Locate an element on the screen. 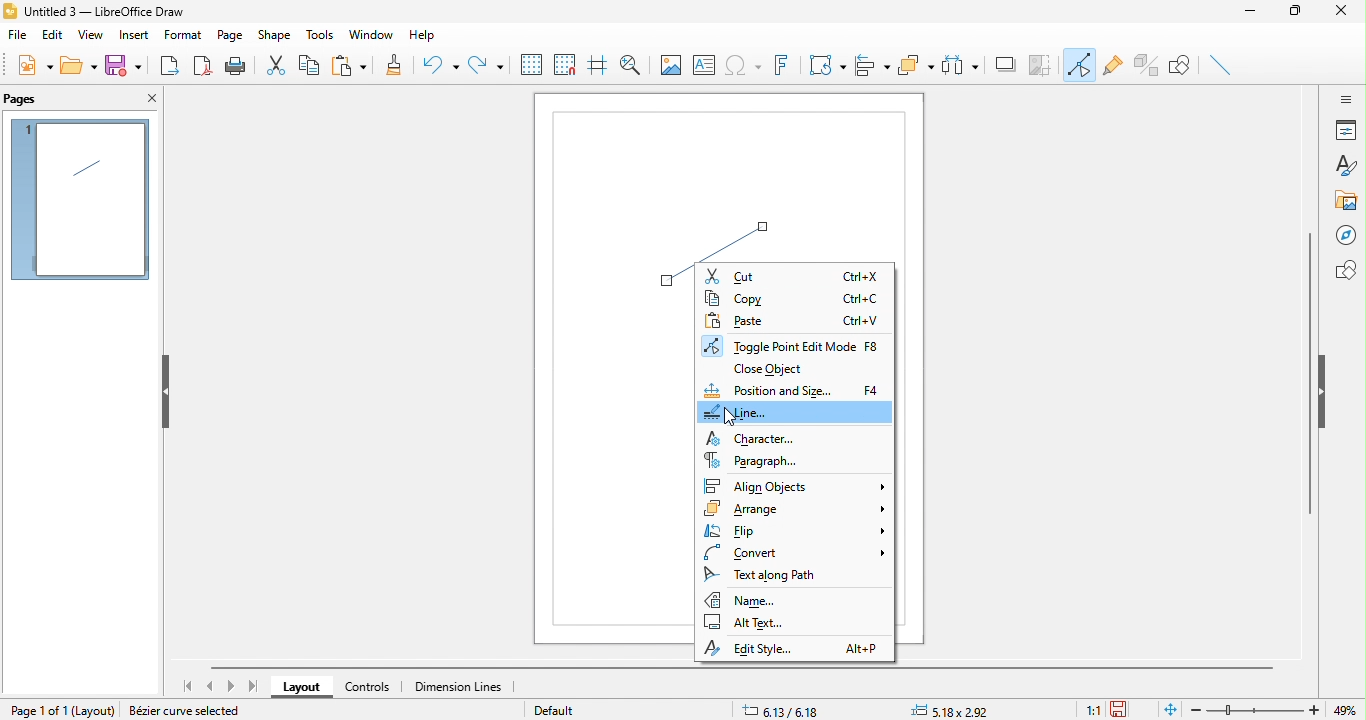 The height and width of the screenshot is (720, 1366). fit to the current page is located at coordinates (1168, 709).